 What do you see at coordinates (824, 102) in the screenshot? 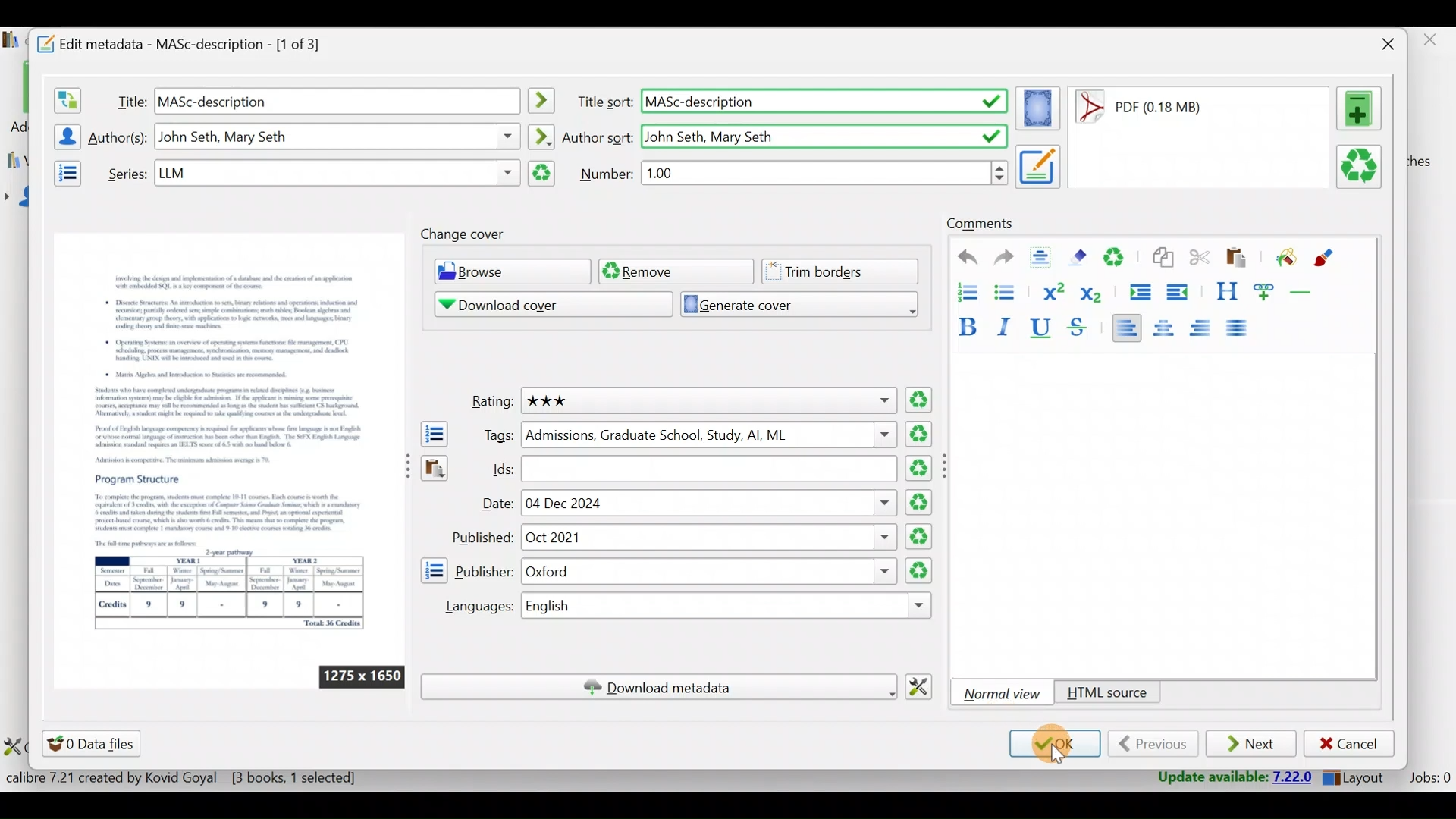
I see `` at bounding box center [824, 102].